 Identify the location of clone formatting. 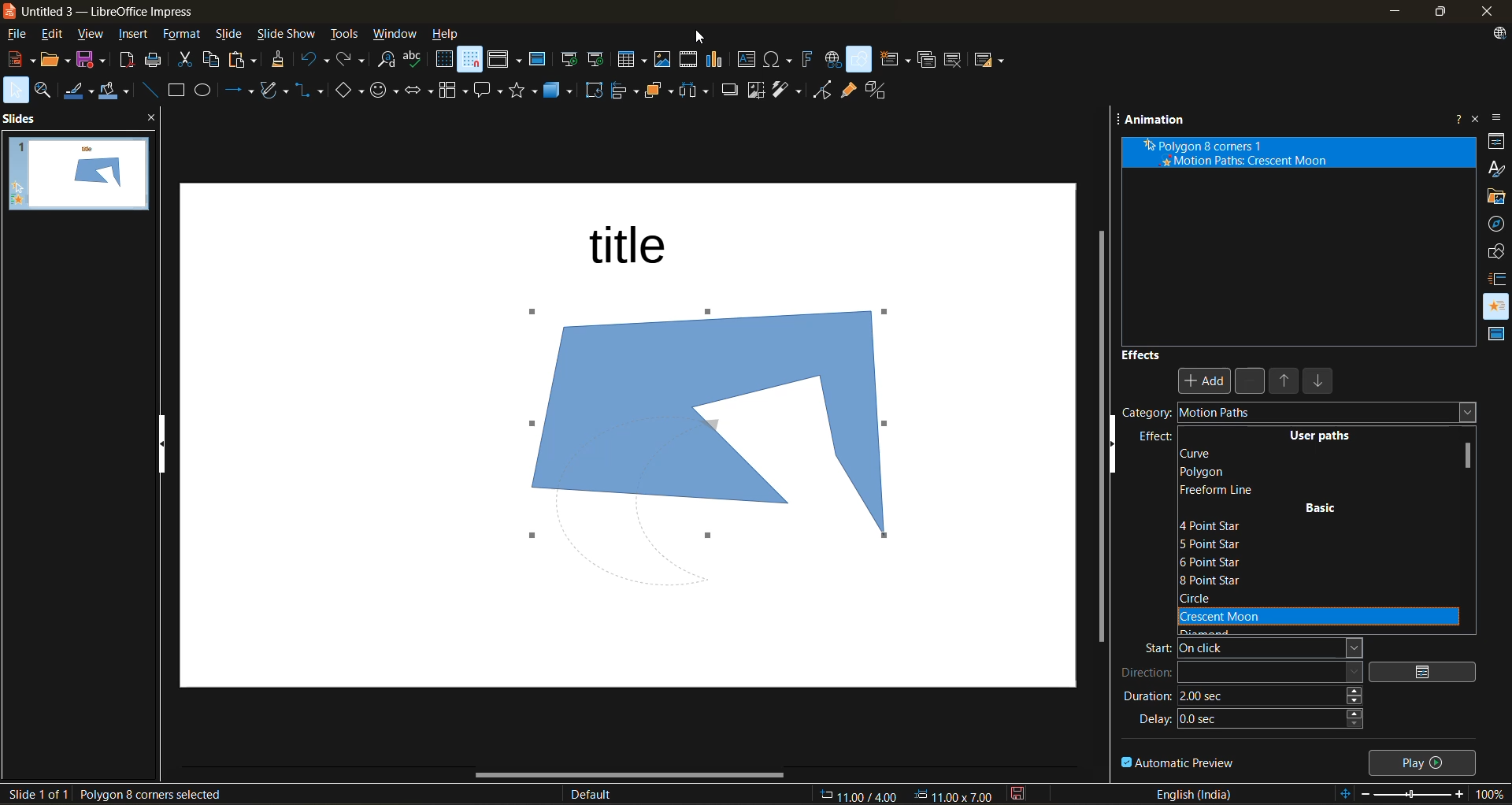
(279, 61).